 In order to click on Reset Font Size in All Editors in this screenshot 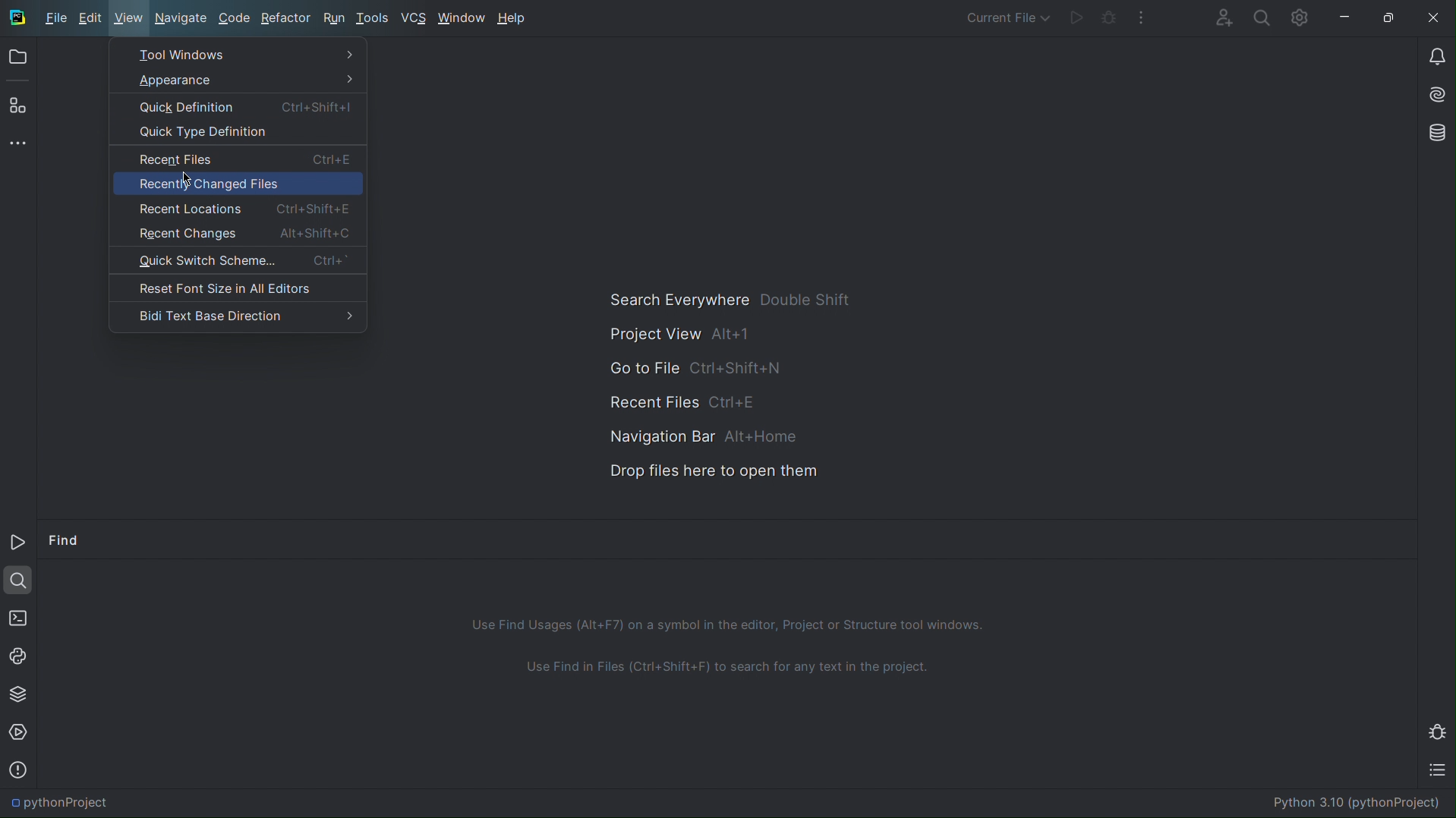, I will do `click(235, 288)`.